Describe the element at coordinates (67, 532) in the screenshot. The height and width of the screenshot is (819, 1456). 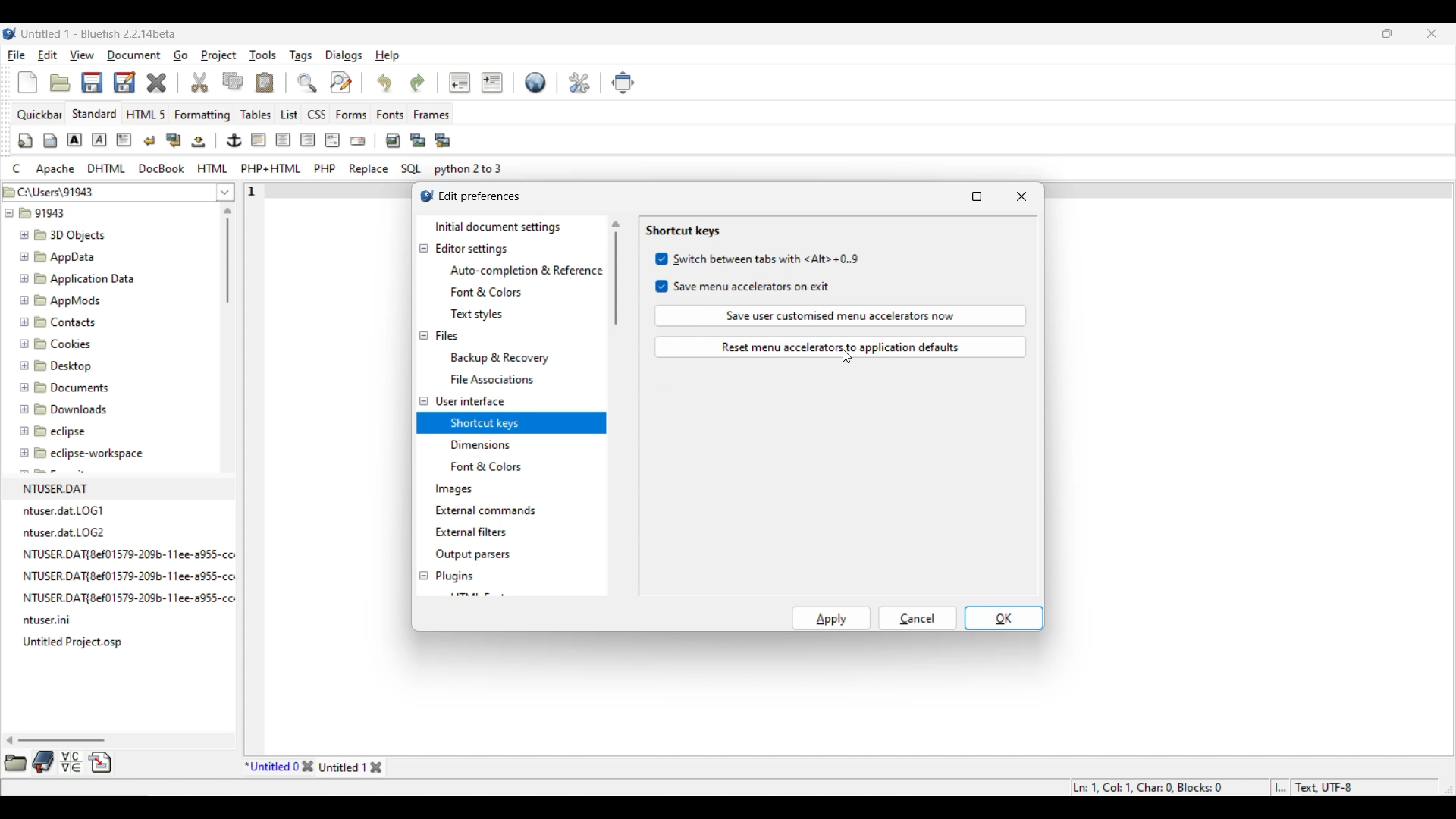
I see `ntuser.dat.LOG2` at that location.